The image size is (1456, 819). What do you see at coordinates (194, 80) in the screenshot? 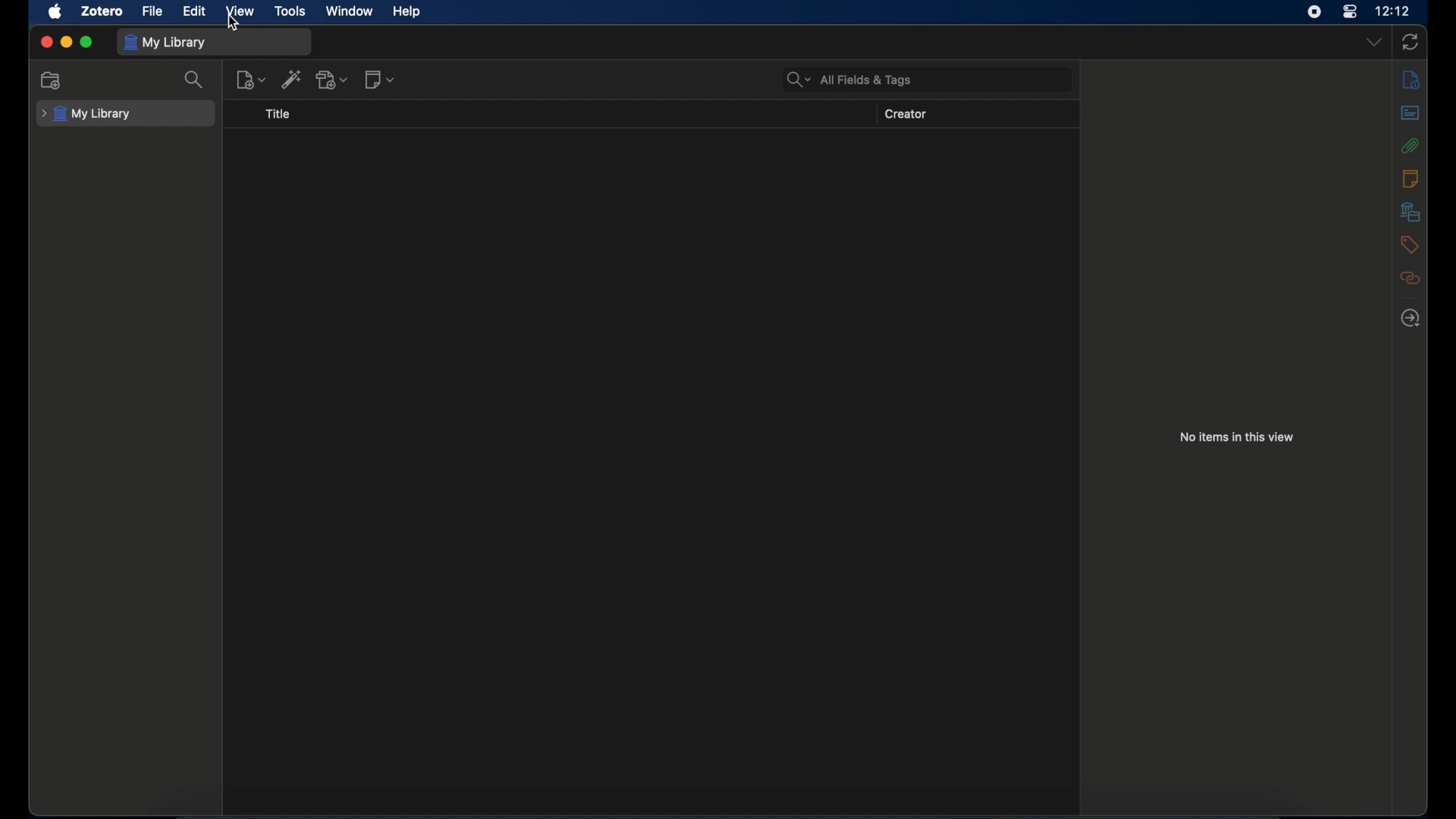
I see `search` at bounding box center [194, 80].